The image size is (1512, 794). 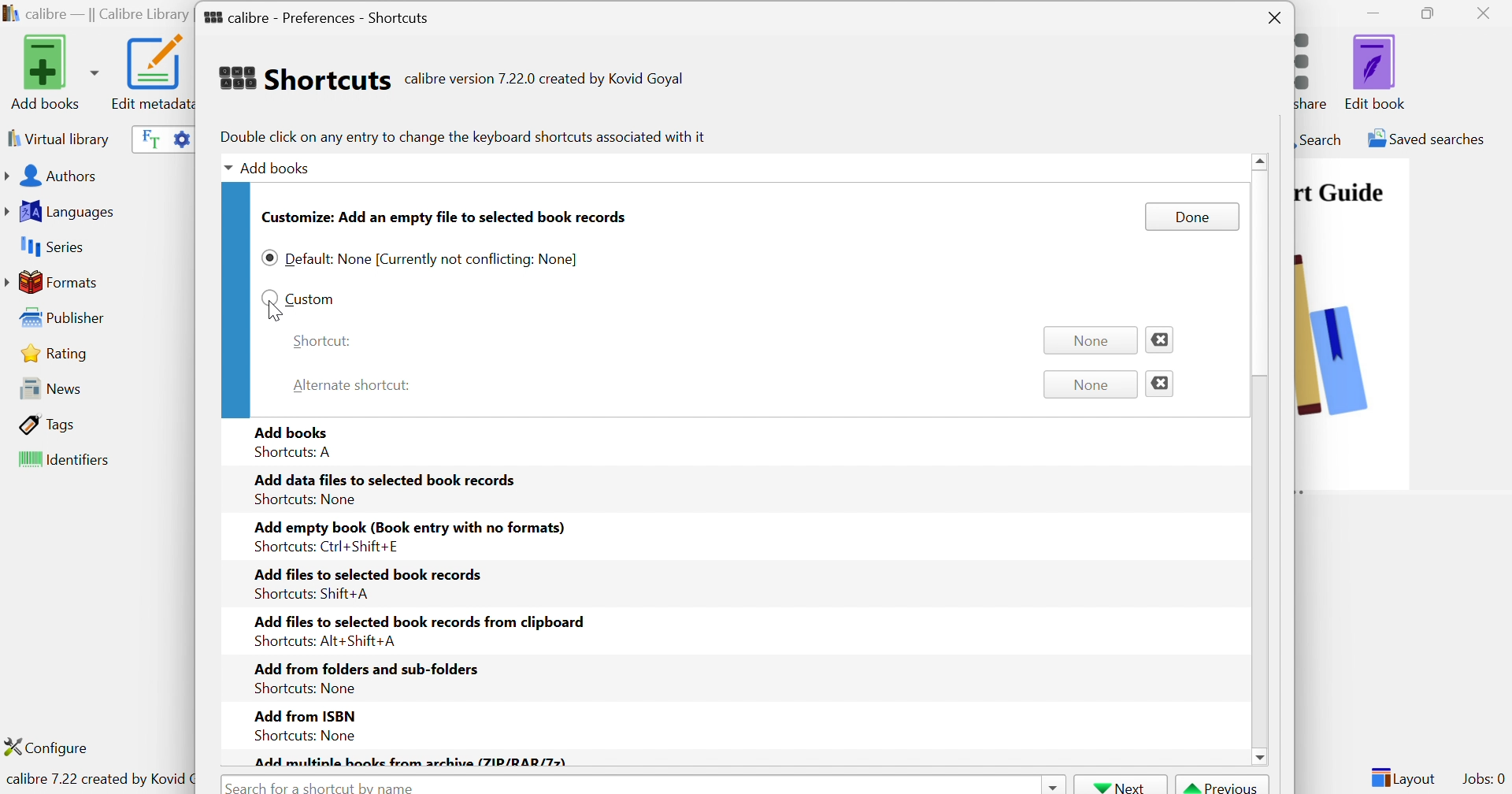 What do you see at coordinates (1376, 72) in the screenshot?
I see `Edit book` at bounding box center [1376, 72].